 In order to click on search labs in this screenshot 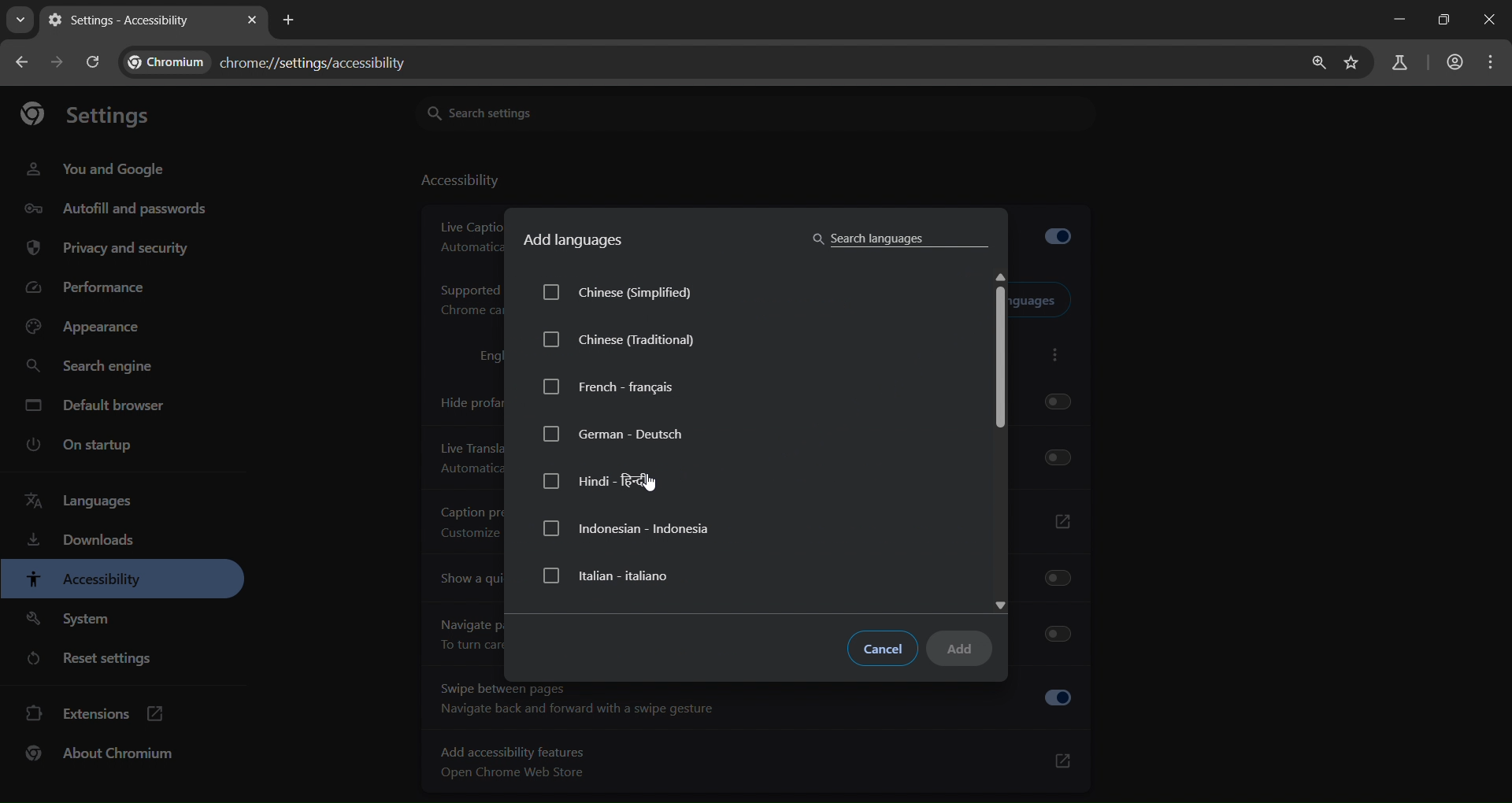, I will do `click(1399, 65)`.